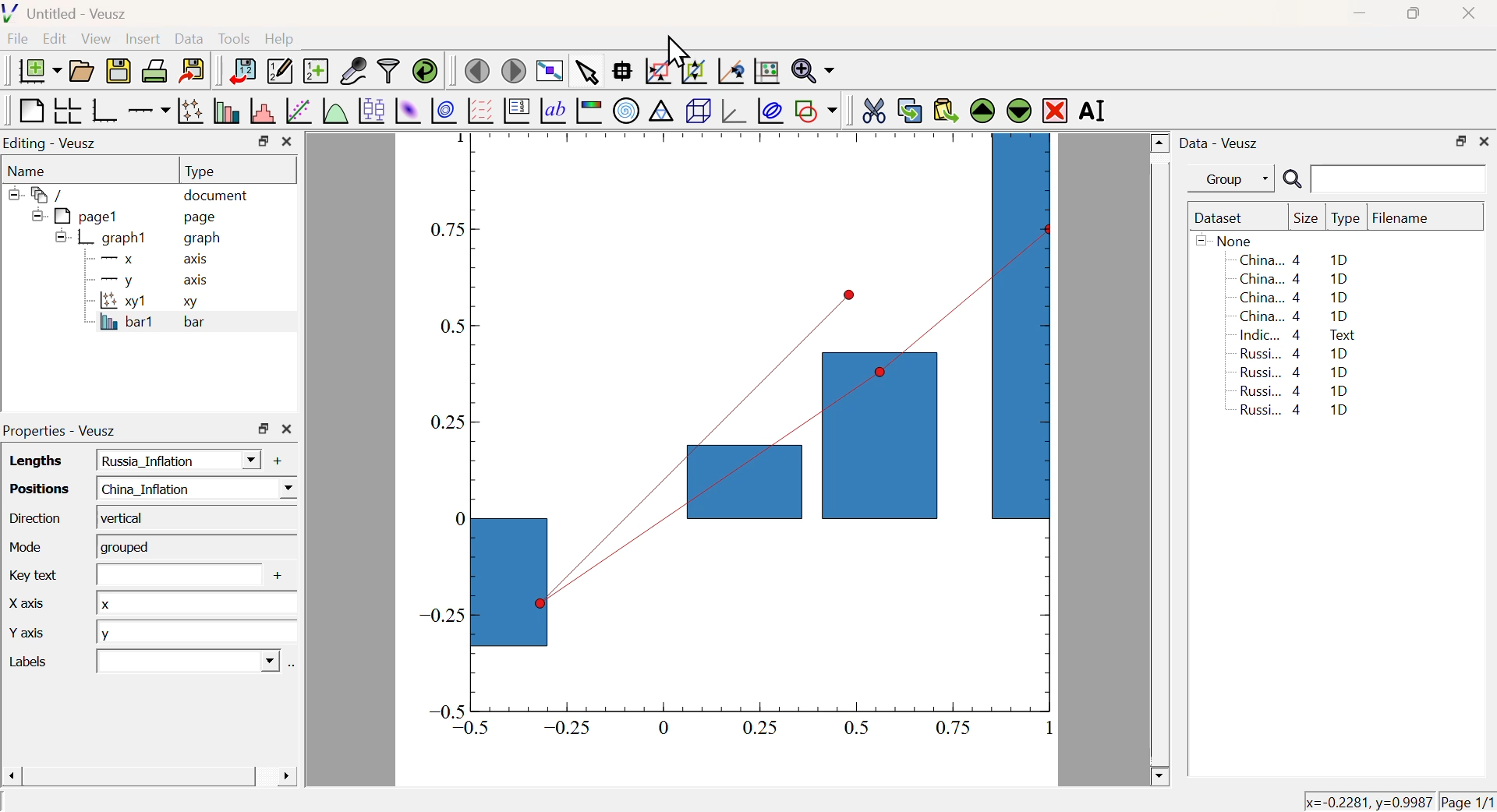 The width and height of the screenshot is (1497, 812). Describe the element at coordinates (589, 111) in the screenshot. I see `Image Color bar` at that location.